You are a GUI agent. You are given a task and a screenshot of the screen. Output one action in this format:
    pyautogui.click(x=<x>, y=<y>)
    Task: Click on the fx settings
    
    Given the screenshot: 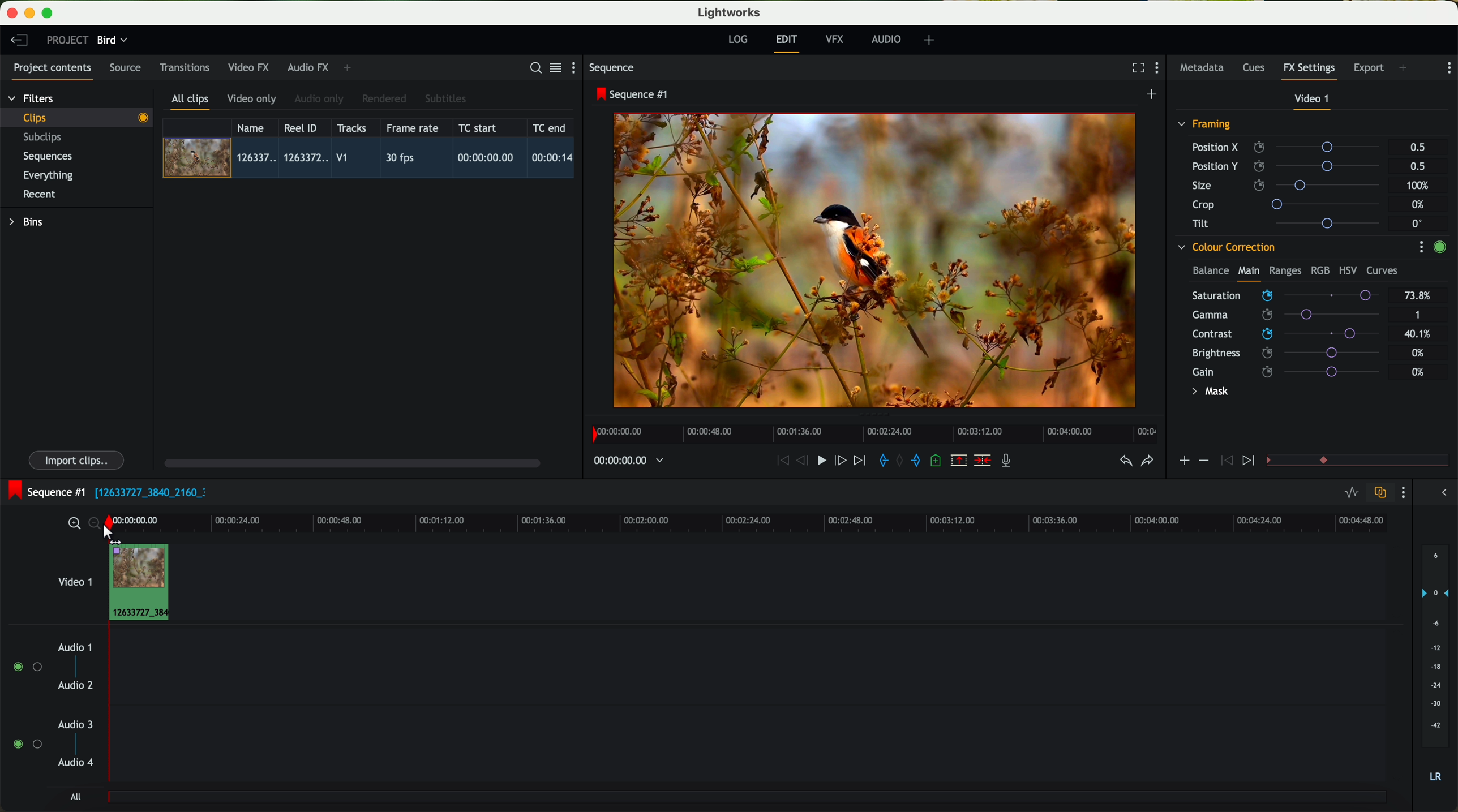 What is the action you would take?
    pyautogui.click(x=1309, y=71)
    